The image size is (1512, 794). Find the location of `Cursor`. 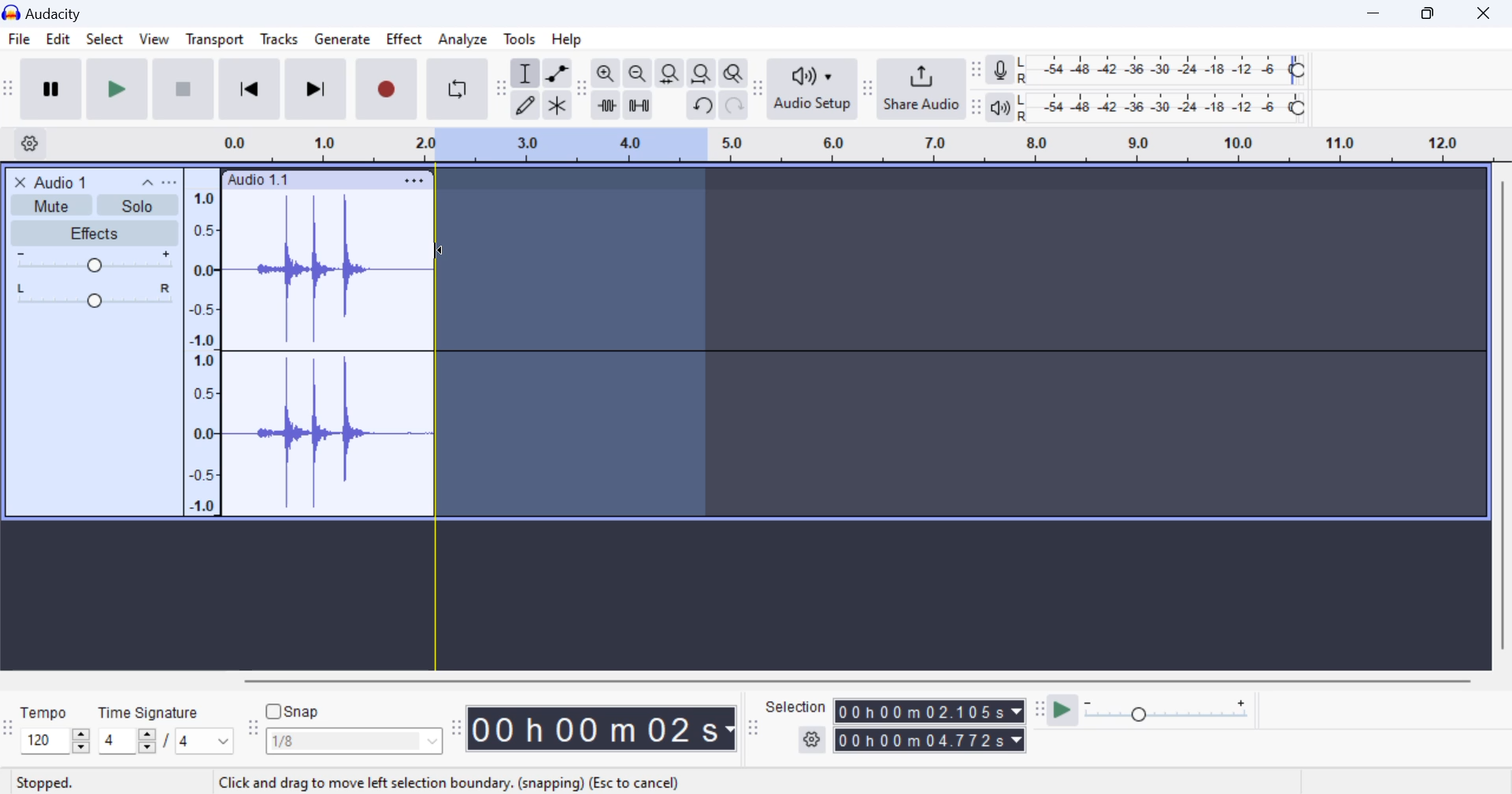

Cursor is located at coordinates (448, 256).